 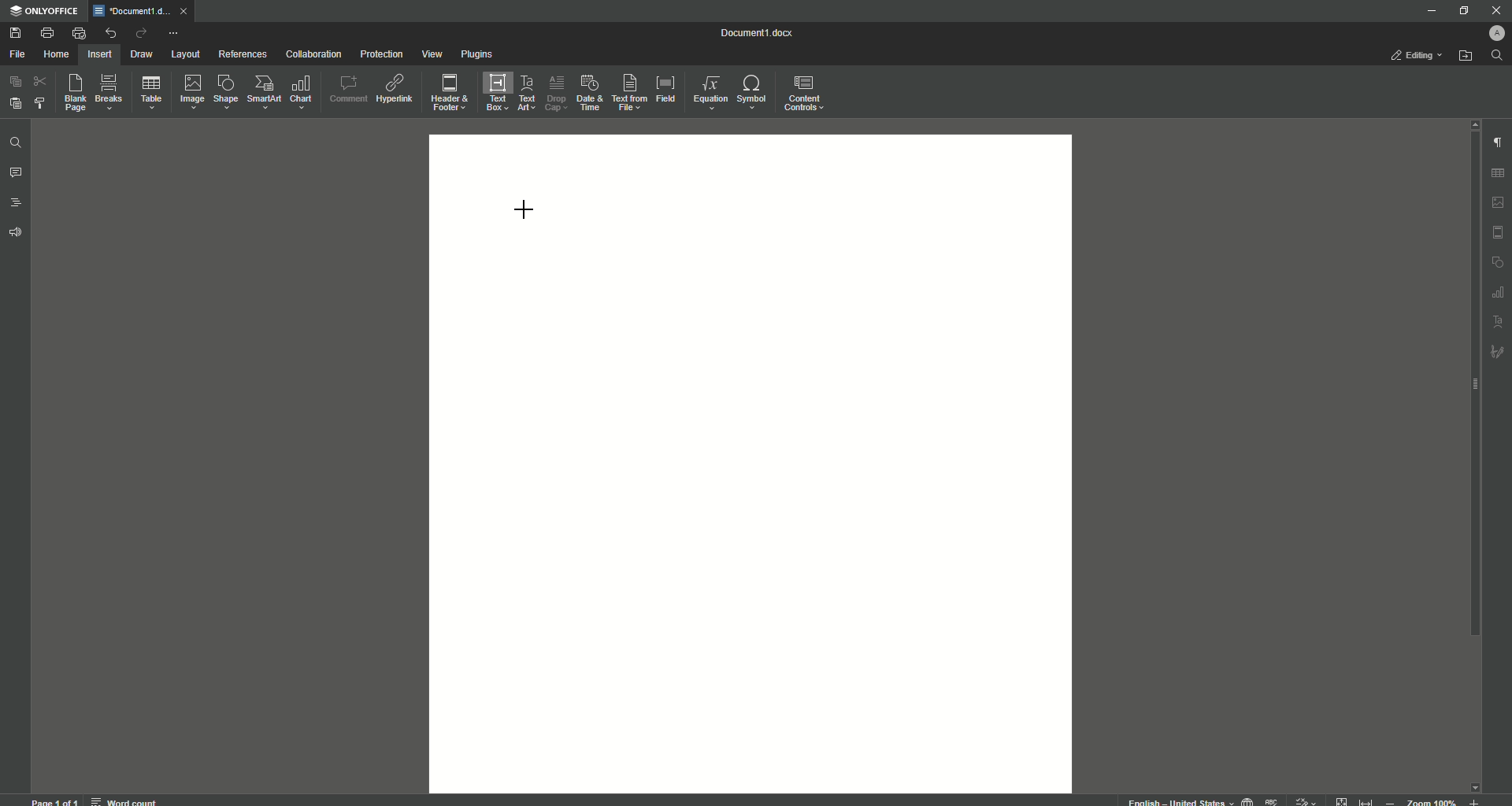 What do you see at coordinates (17, 55) in the screenshot?
I see `File` at bounding box center [17, 55].